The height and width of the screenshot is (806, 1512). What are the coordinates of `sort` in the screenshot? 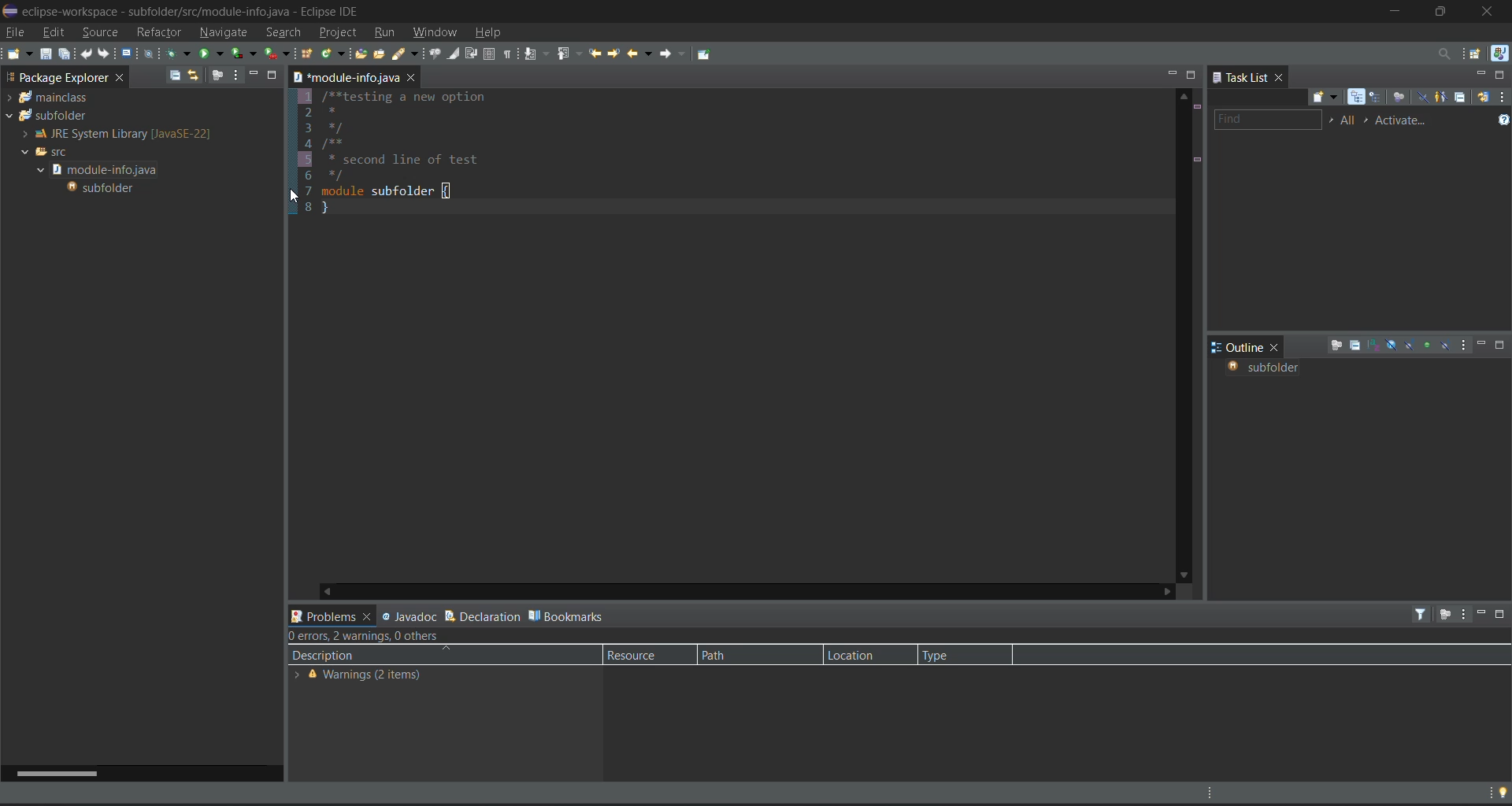 It's located at (1374, 345).